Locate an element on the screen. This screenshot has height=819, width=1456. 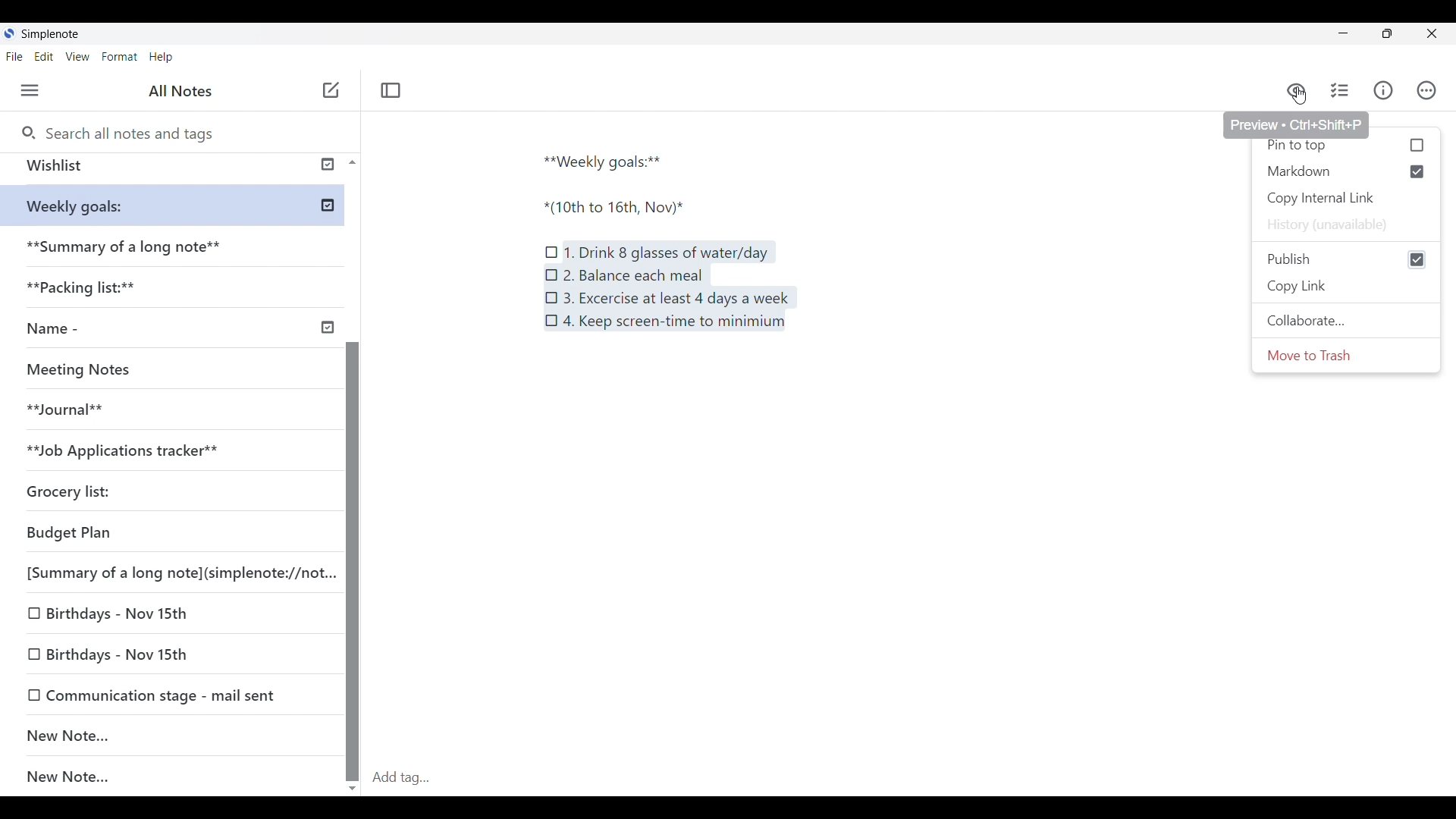
Budget Plan is located at coordinates (143, 529).